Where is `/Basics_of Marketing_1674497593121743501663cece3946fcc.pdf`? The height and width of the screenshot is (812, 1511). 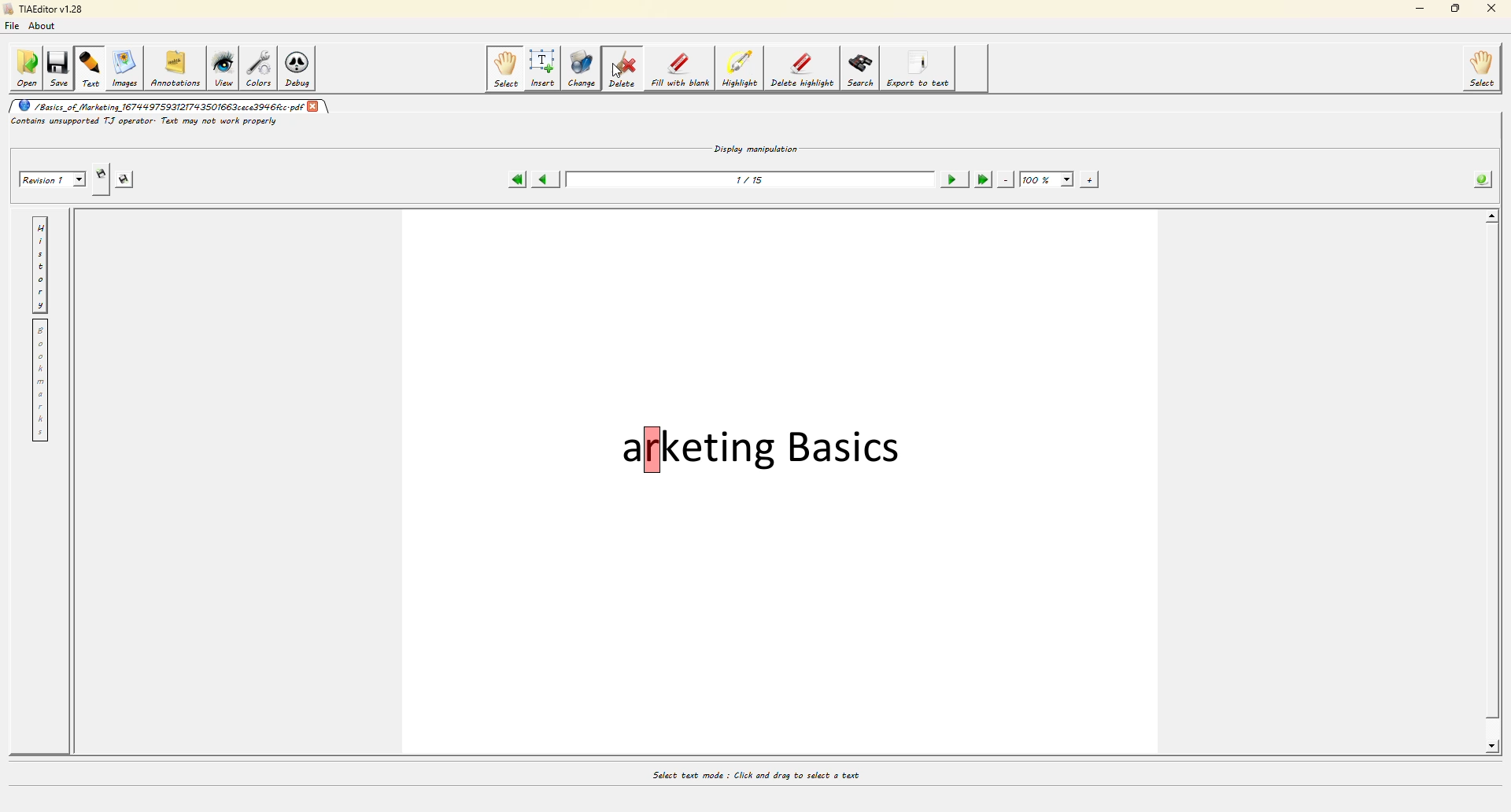 /Basics_of Marketing_1674497593121743501663cece3946fcc.pdf is located at coordinates (161, 105).